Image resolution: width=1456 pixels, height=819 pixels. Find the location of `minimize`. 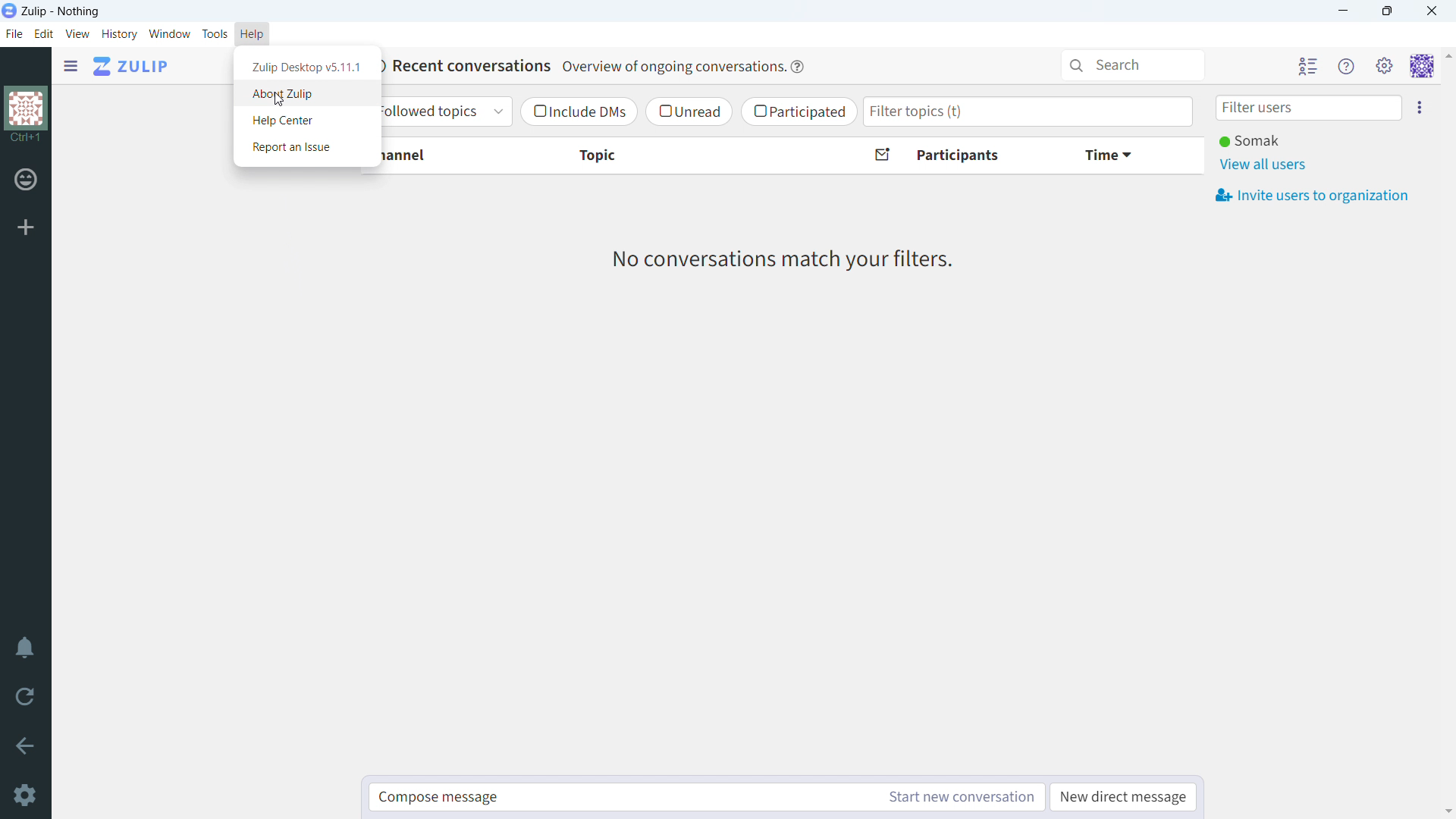

minimize is located at coordinates (1341, 12).